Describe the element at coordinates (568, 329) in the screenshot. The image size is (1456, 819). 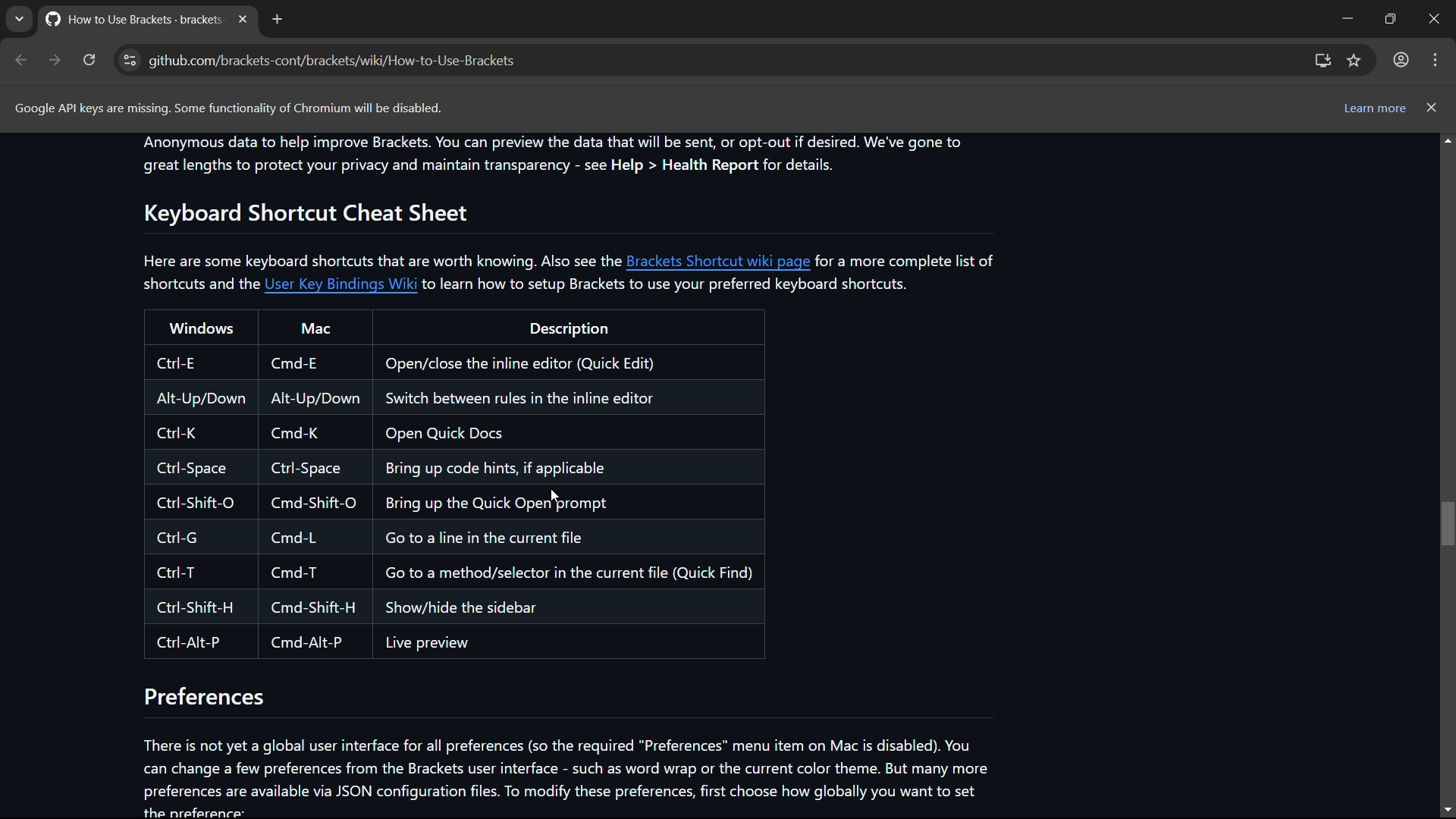
I see `description` at that location.